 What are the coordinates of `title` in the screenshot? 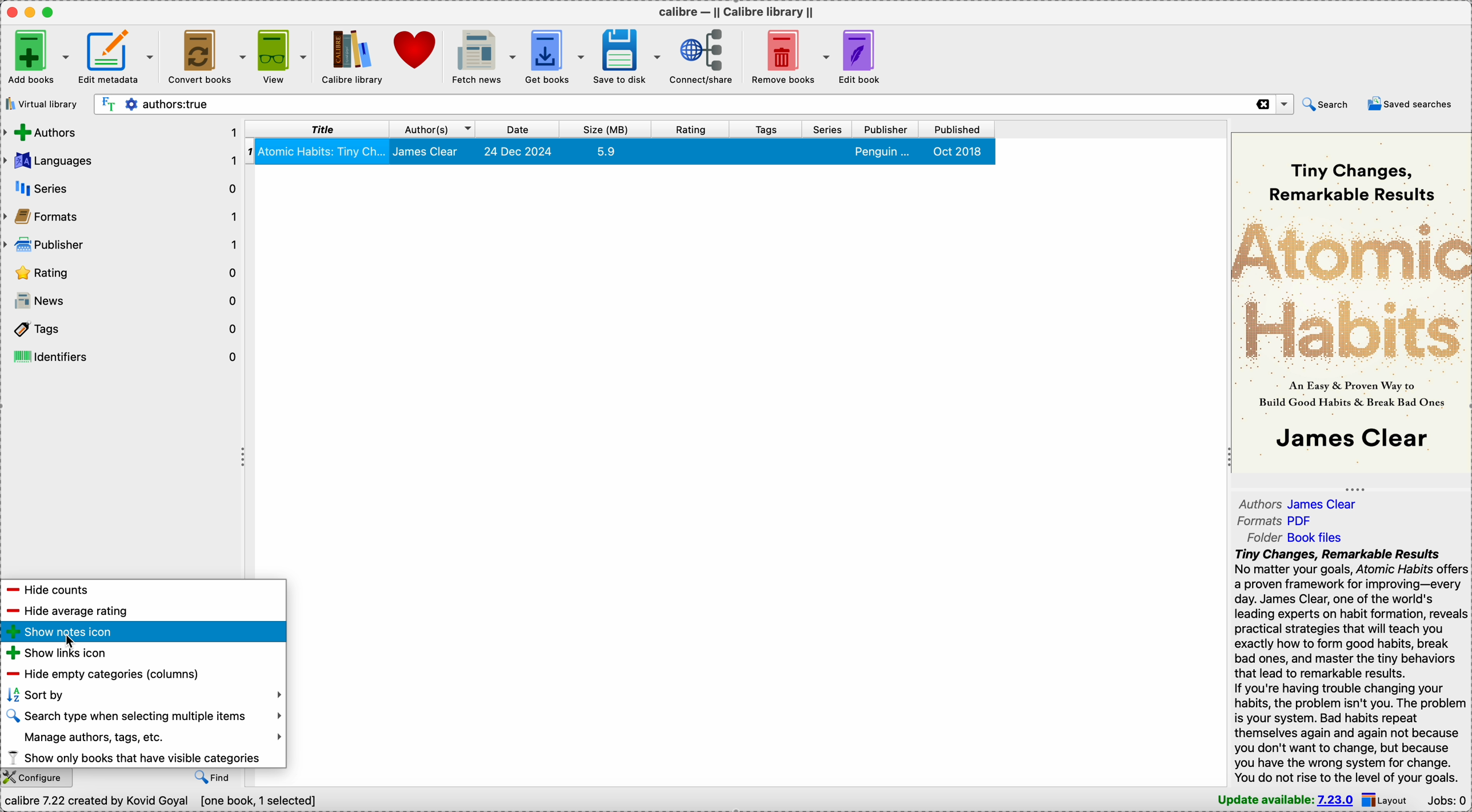 It's located at (318, 129).